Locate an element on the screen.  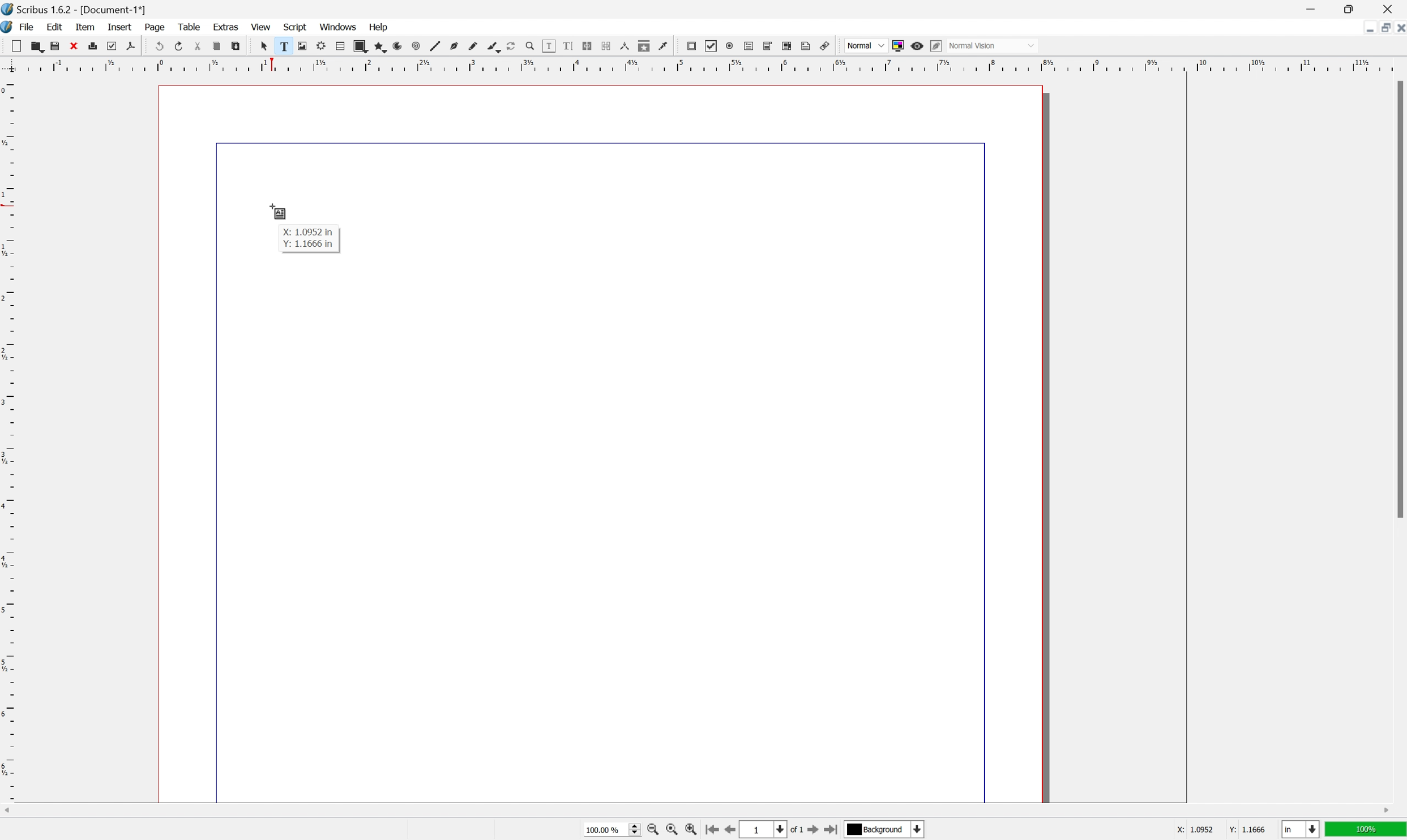
insert is located at coordinates (119, 25).